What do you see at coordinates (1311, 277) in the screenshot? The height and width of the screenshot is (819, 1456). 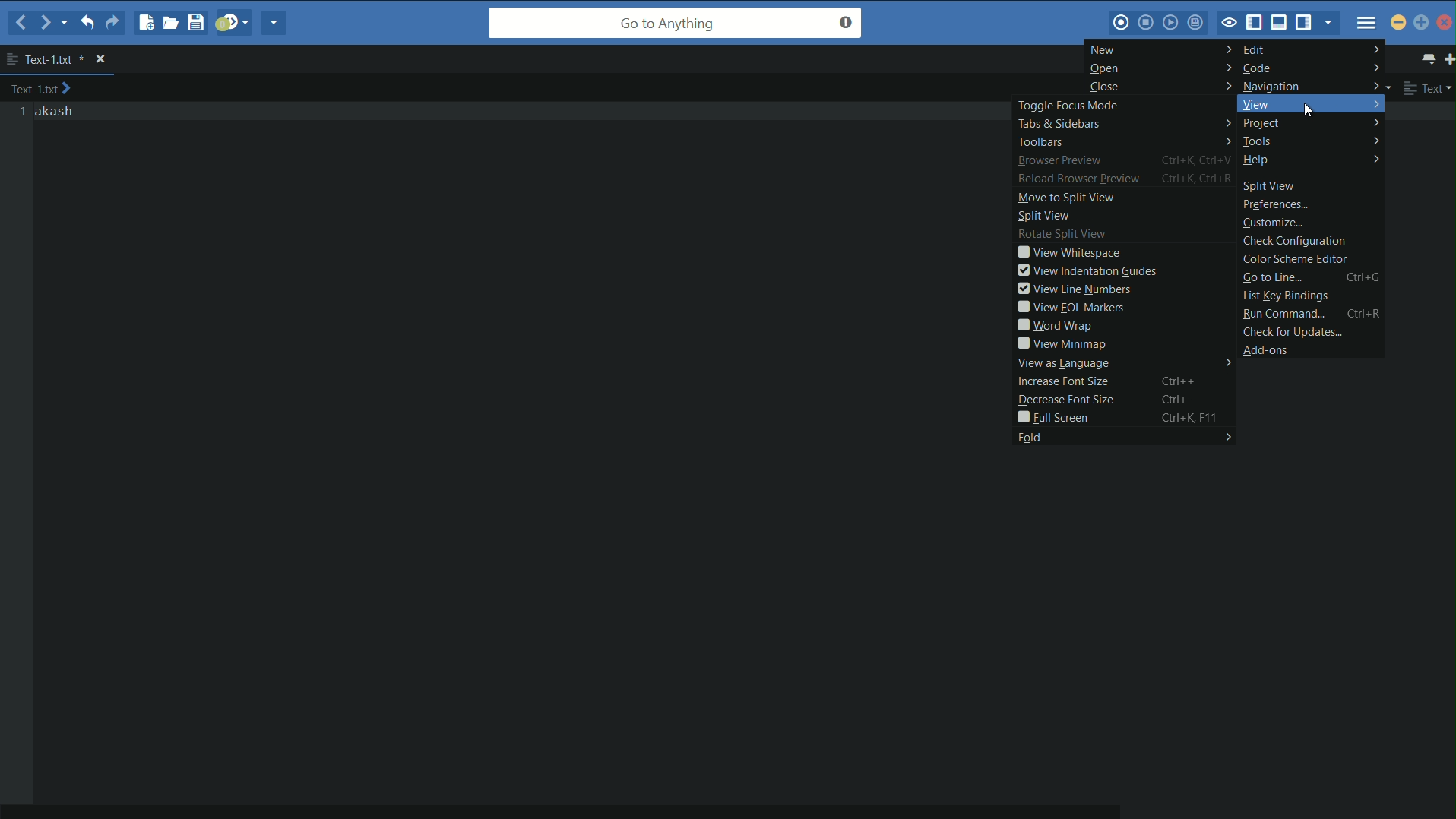 I see `go to line` at bounding box center [1311, 277].